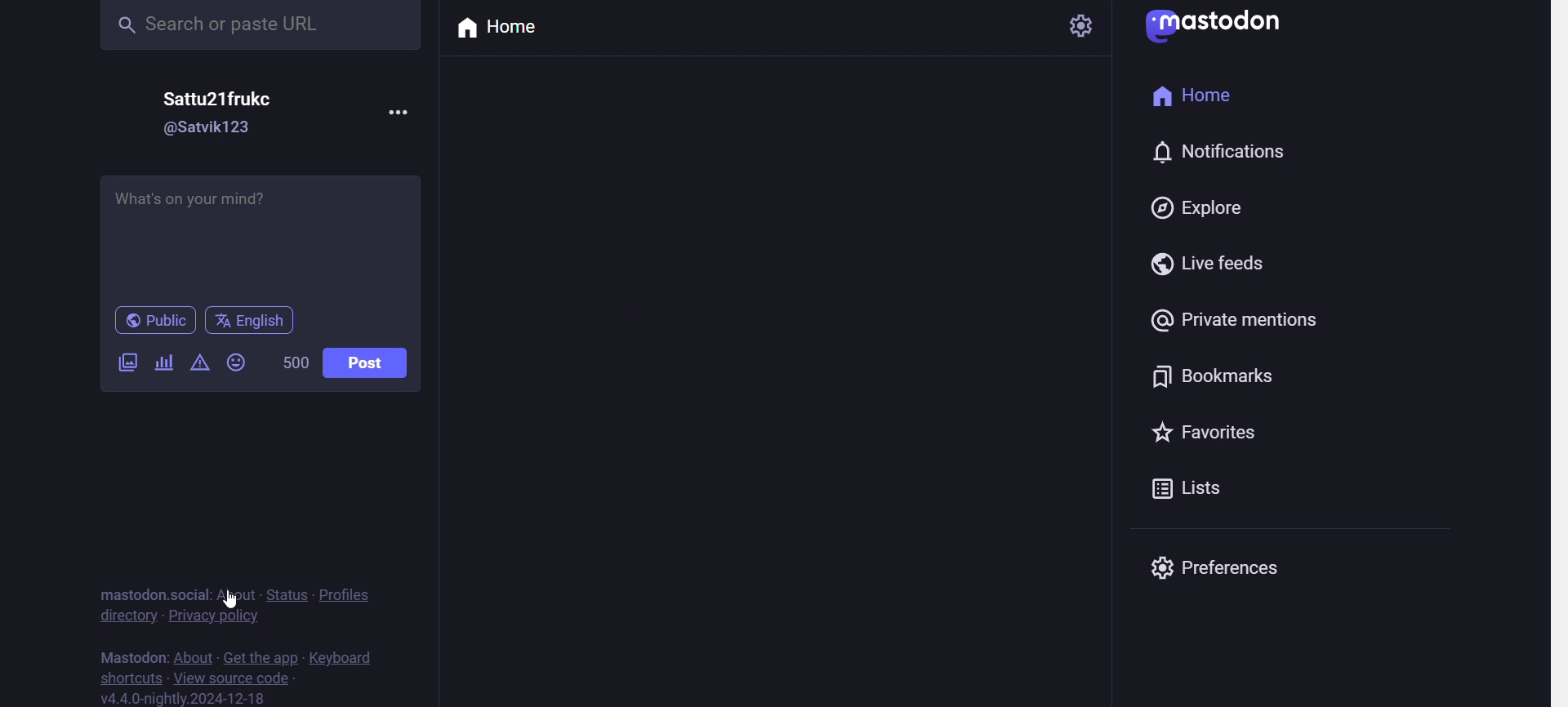 This screenshot has width=1568, height=707. What do you see at coordinates (1216, 28) in the screenshot?
I see `Mastodon logo` at bounding box center [1216, 28].